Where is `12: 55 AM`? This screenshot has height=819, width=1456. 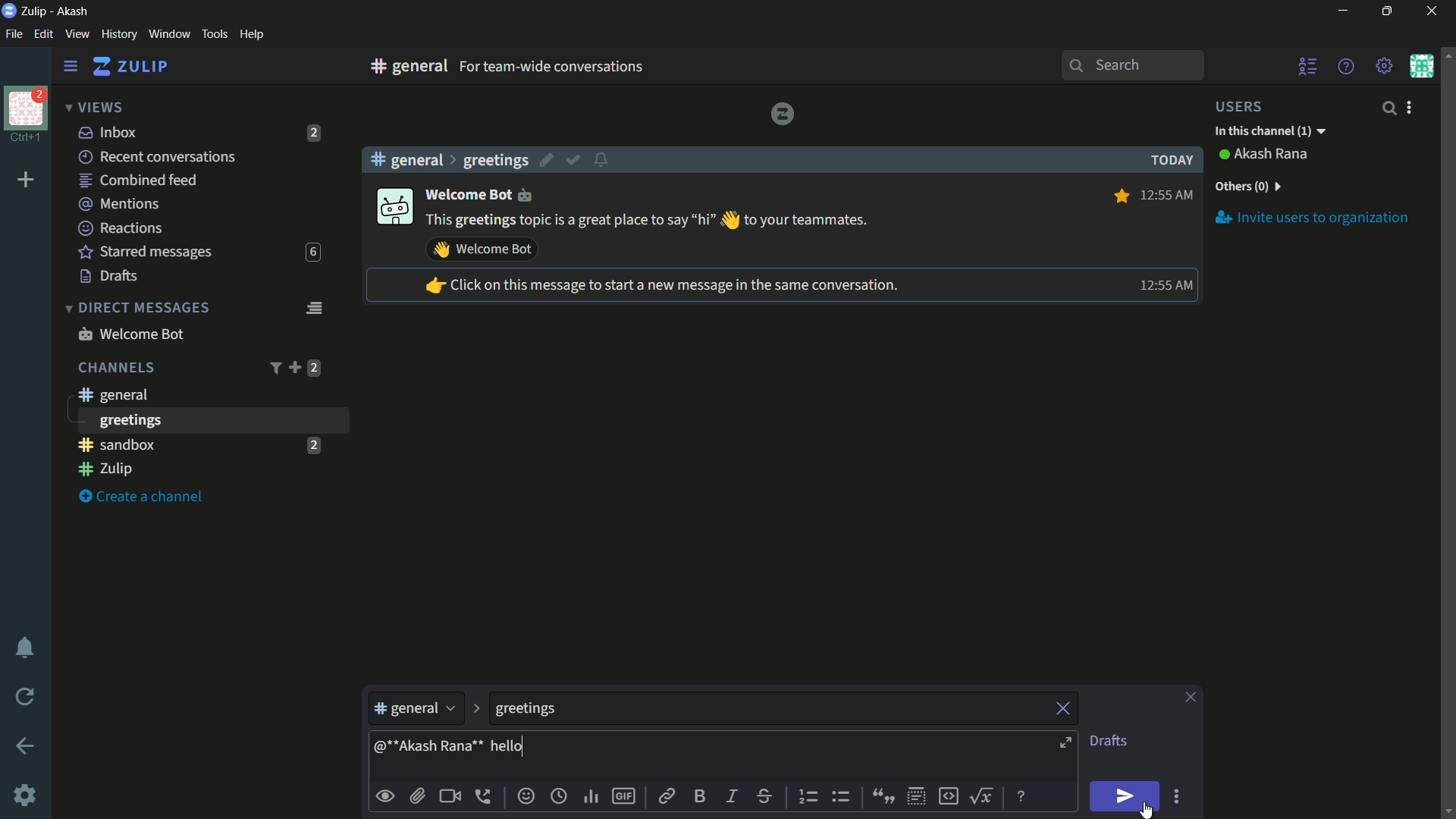
12: 55 AM is located at coordinates (1169, 193).